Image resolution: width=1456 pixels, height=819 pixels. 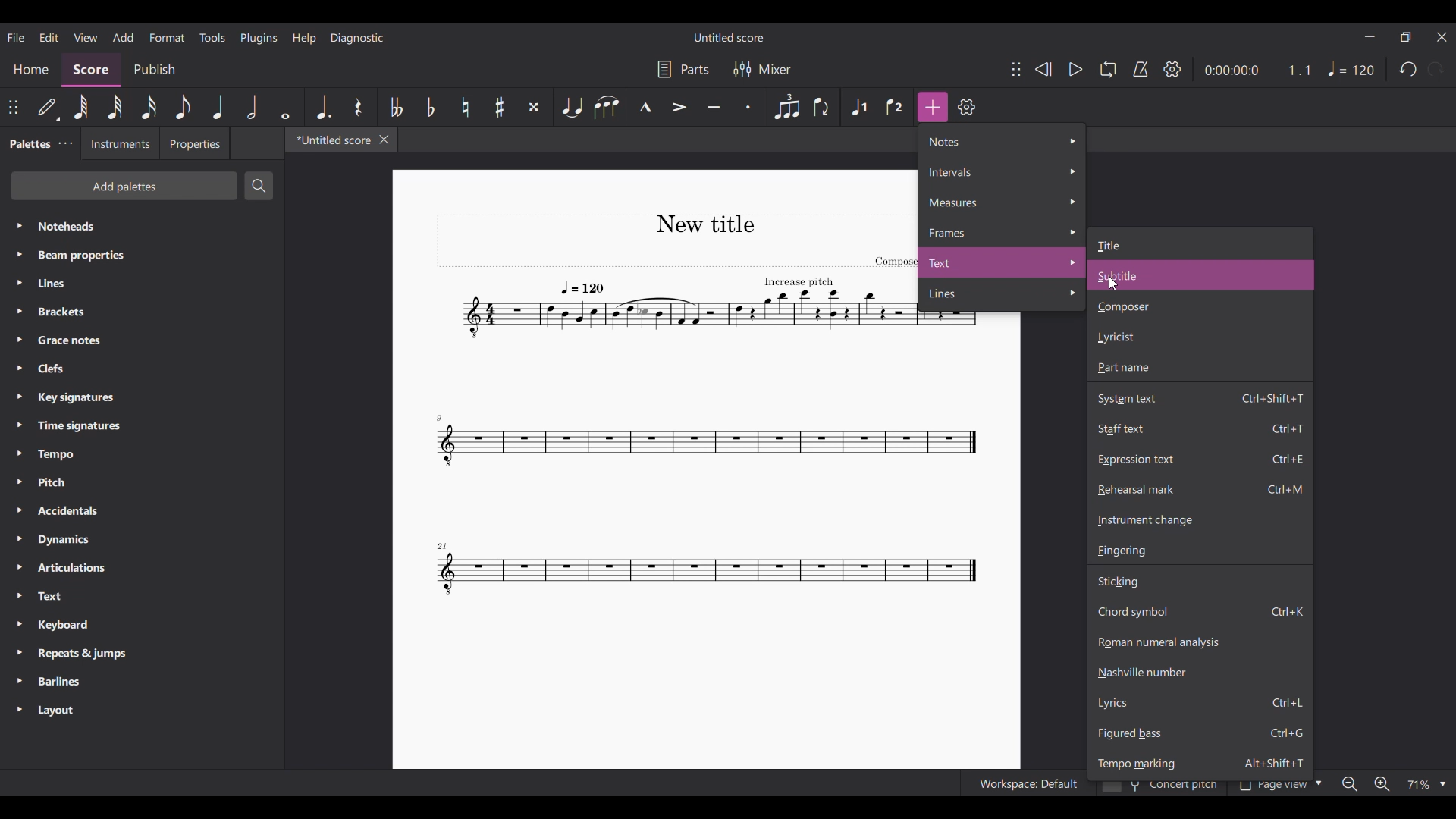 I want to click on Tools menu, so click(x=212, y=37).